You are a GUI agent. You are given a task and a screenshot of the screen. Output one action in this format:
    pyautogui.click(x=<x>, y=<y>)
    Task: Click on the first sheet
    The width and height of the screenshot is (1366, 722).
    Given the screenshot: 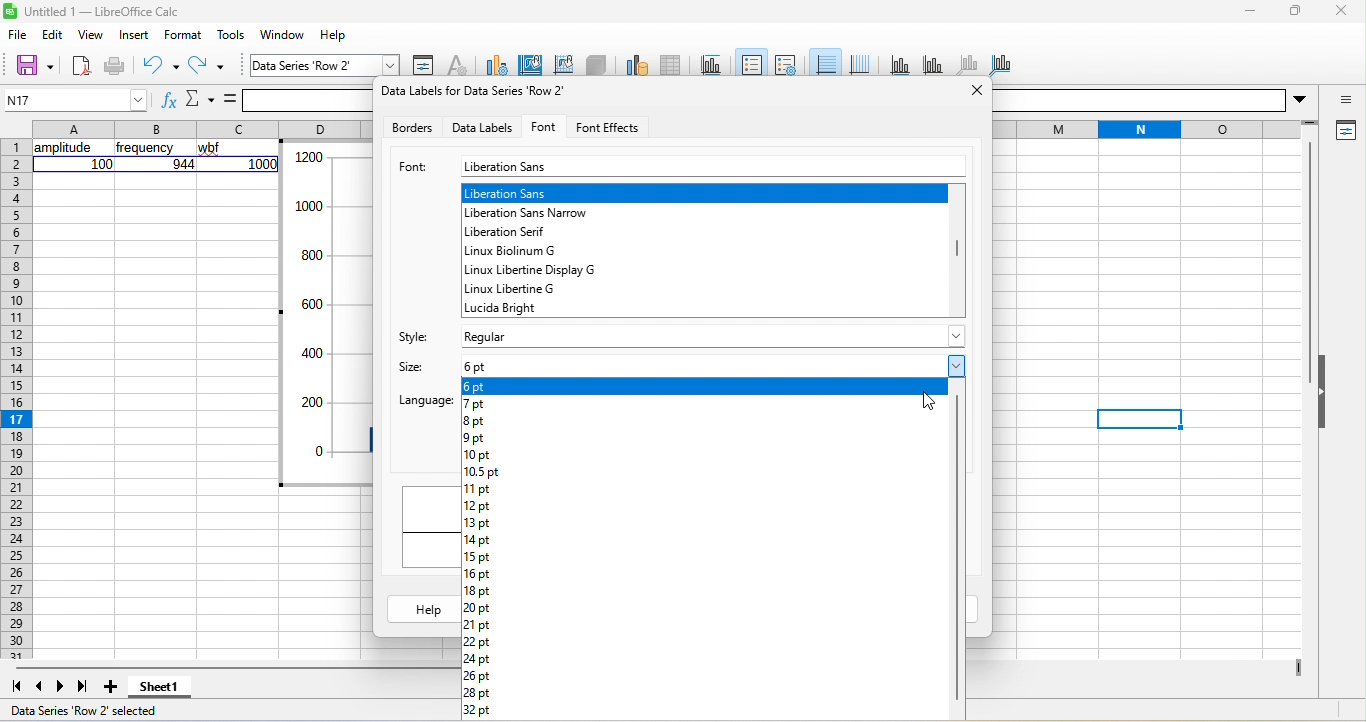 What is the action you would take?
    pyautogui.click(x=17, y=687)
    